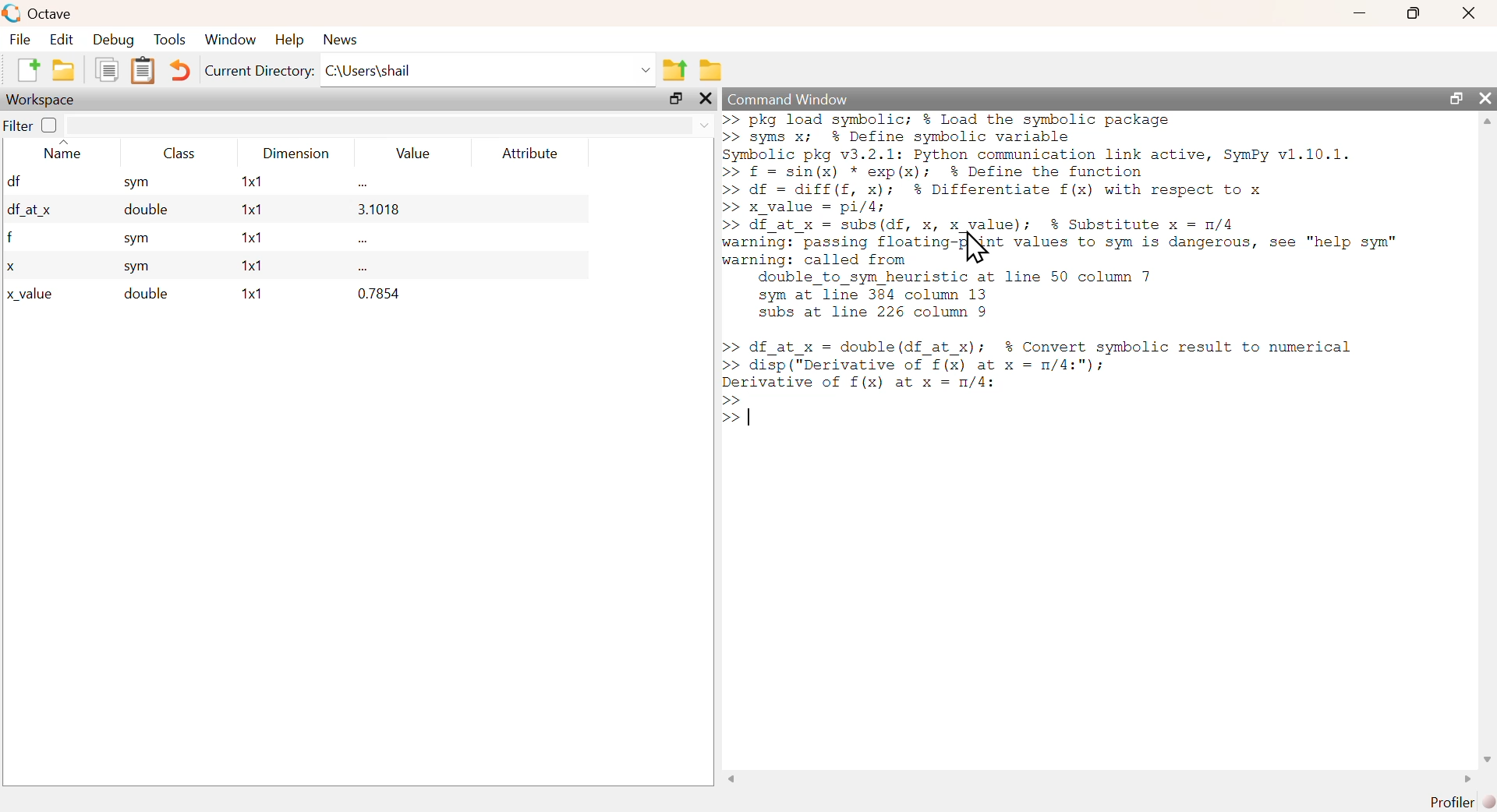 Image resolution: width=1497 pixels, height=812 pixels. What do you see at coordinates (11, 267) in the screenshot?
I see `x` at bounding box center [11, 267].